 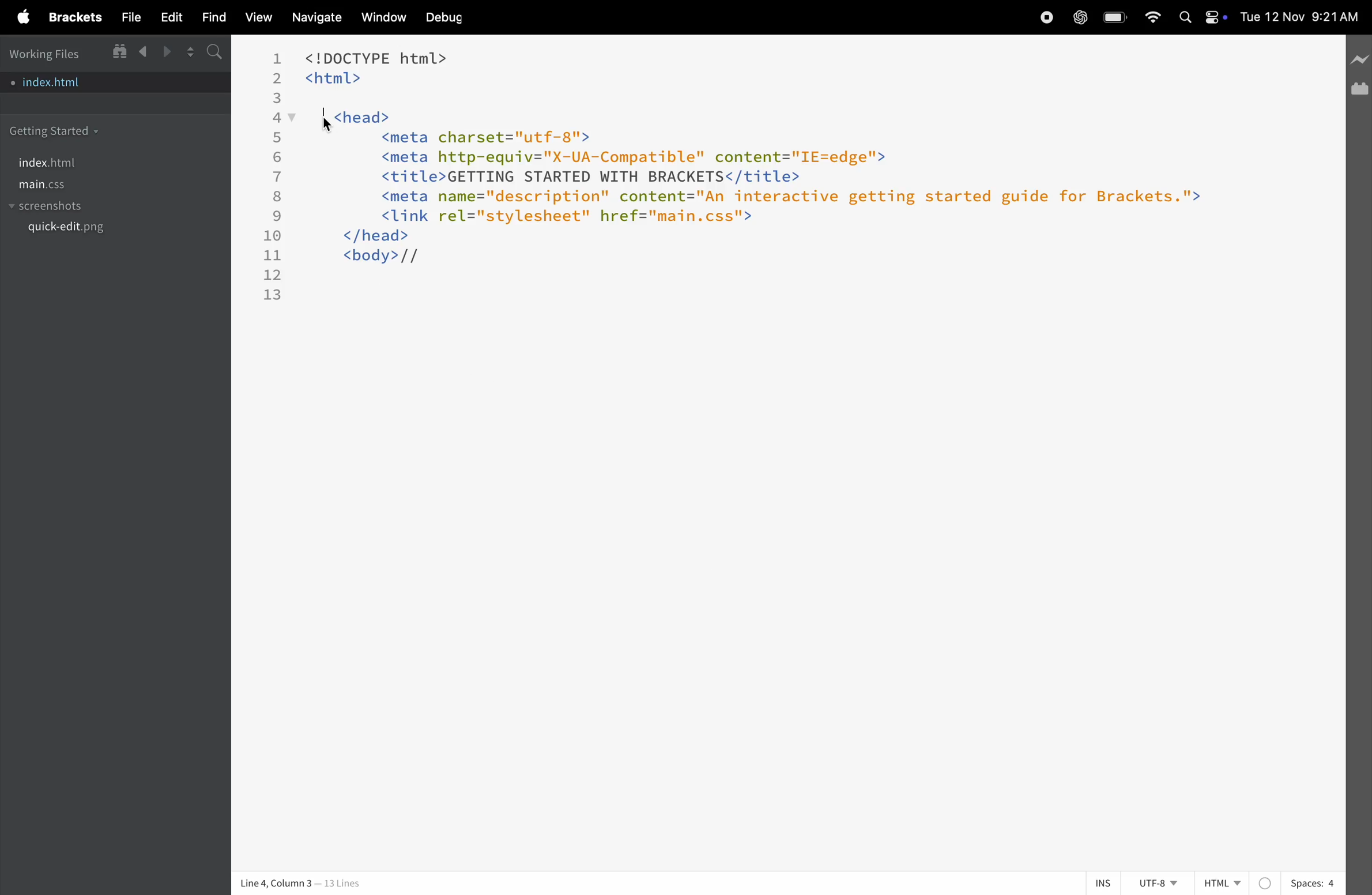 What do you see at coordinates (779, 161) in the screenshot?
I see `<!DOCTYPE html>
<html>
\ <head>
<meta charset="utf-8">
<meta http-equiv="X-UA-Compatible" content="IE=edge">
<title>GETTING STARTED WITH BRACKETS</title>
<meta name="description" content="An interactive getting started guide for Brackets.">
<link rel="stylesheet" href="main.css">
</head>
<body>//` at bounding box center [779, 161].